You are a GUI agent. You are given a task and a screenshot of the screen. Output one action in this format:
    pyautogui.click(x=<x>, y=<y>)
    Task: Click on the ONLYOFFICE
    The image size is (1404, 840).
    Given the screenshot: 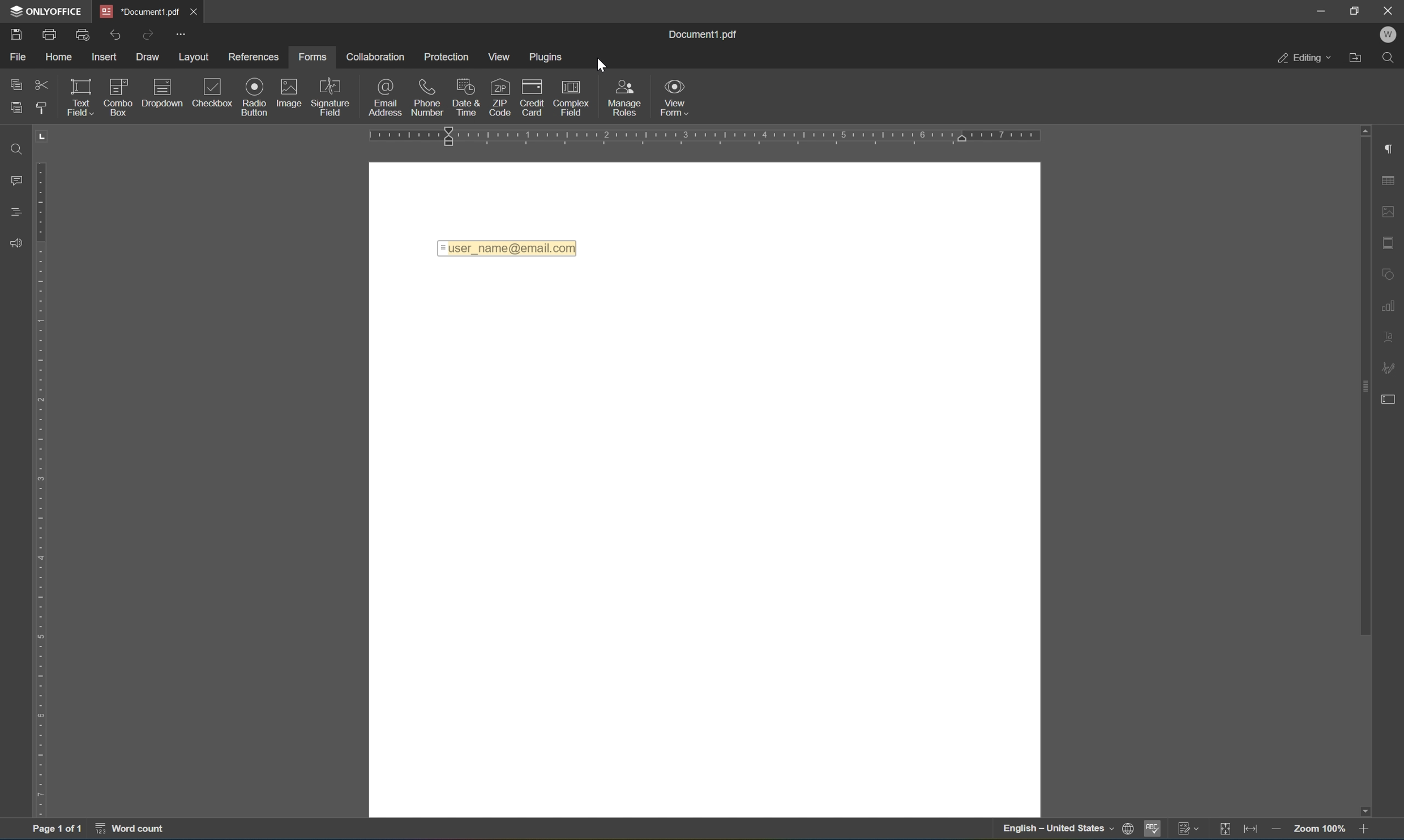 What is the action you would take?
    pyautogui.click(x=43, y=10)
    